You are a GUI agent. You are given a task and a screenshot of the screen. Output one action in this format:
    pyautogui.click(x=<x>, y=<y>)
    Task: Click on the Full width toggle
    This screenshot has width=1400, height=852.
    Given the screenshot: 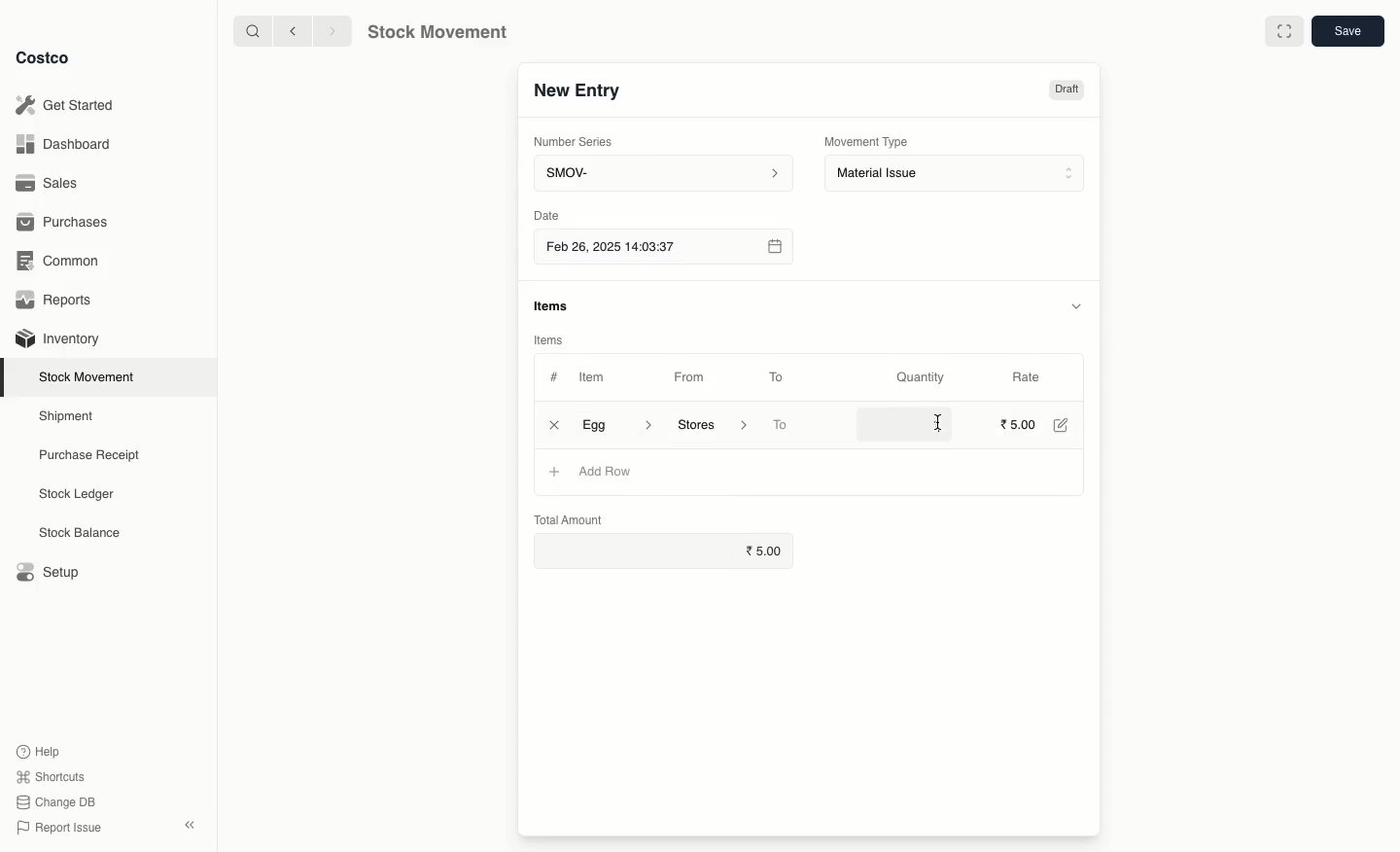 What is the action you would take?
    pyautogui.click(x=1285, y=31)
    